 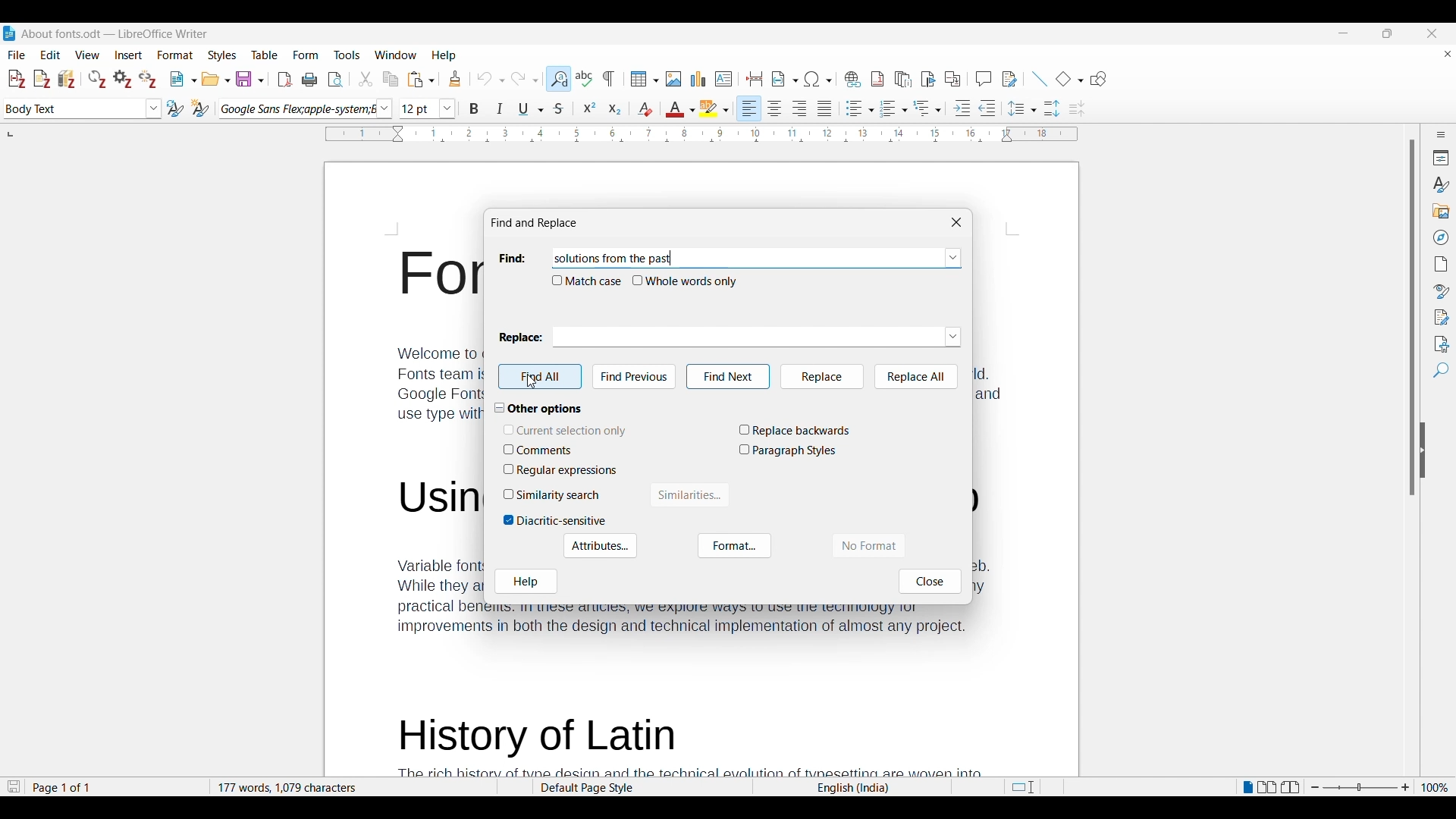 What do you see at coordinates (800, 108) in the screenshot?
I see `Align to right` at bounding box center [800, 108].